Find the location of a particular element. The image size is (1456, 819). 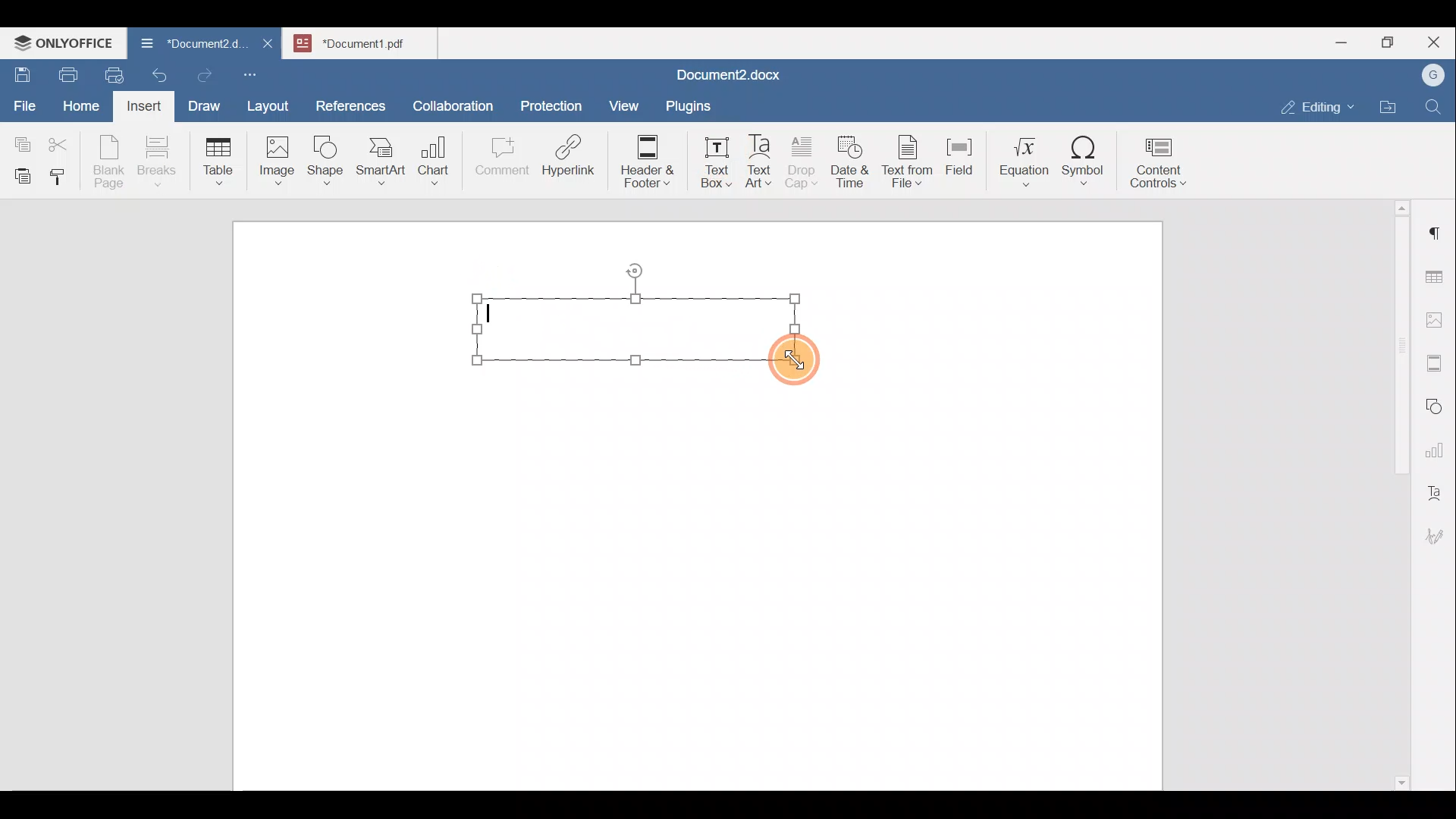

Layout is located at coordinates (271, 103).